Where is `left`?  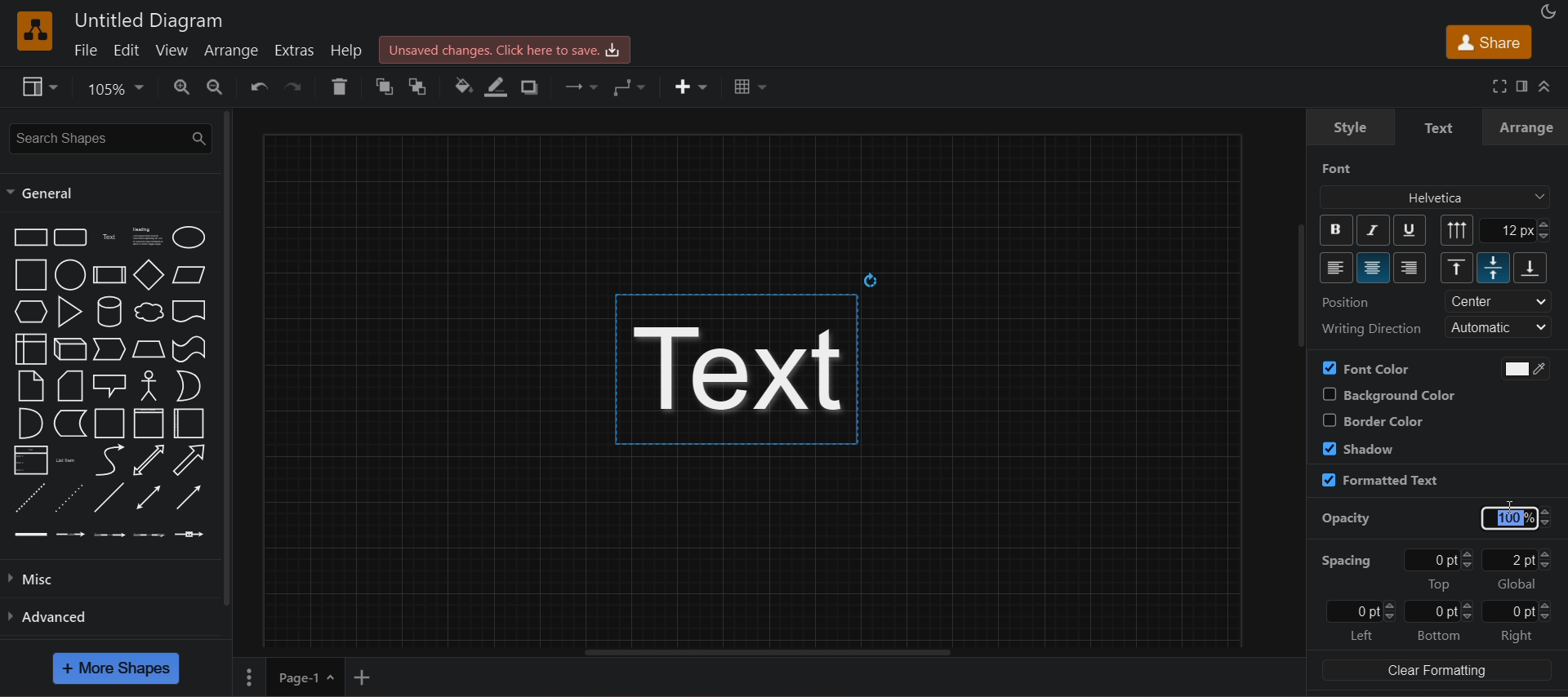
left is located at coordinates (1361, 636).